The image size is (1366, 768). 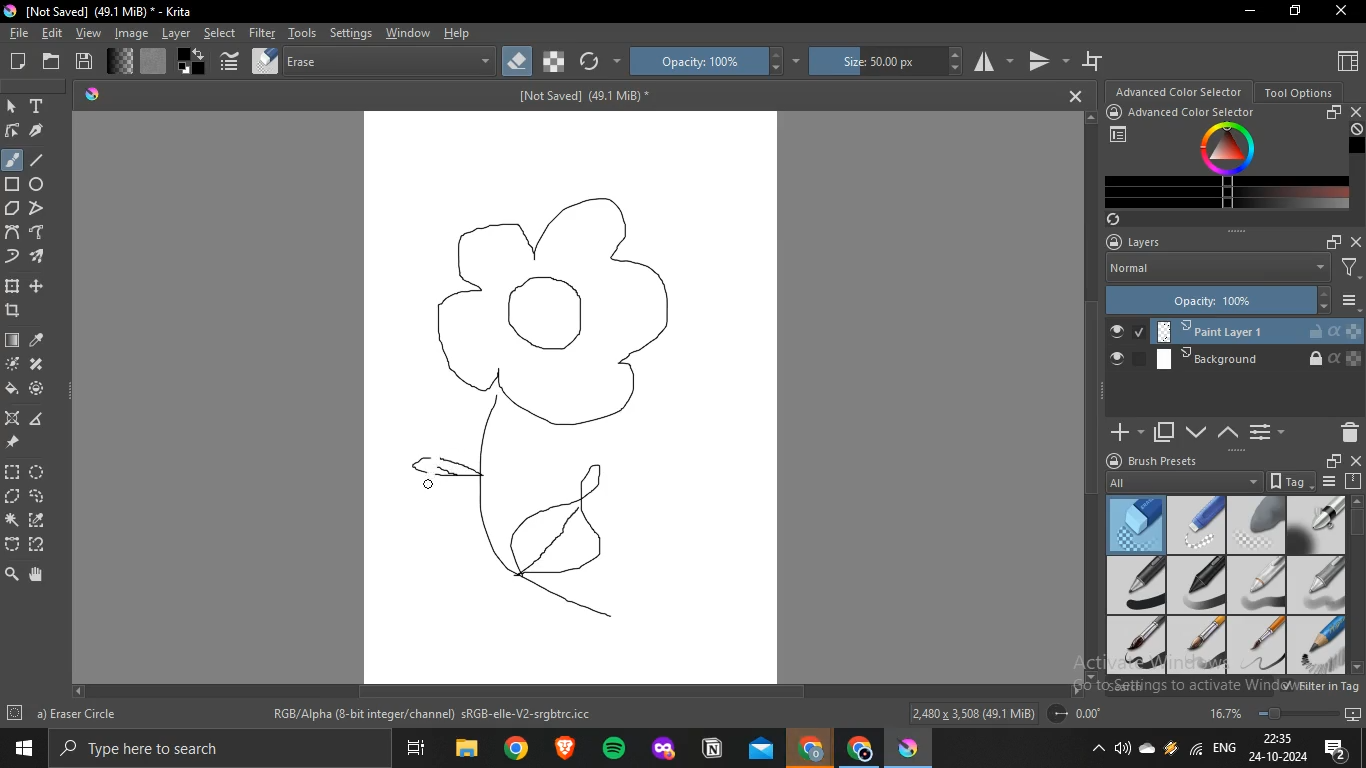 I want to click on dynamic brush tooth, so click(x=13, y=258).